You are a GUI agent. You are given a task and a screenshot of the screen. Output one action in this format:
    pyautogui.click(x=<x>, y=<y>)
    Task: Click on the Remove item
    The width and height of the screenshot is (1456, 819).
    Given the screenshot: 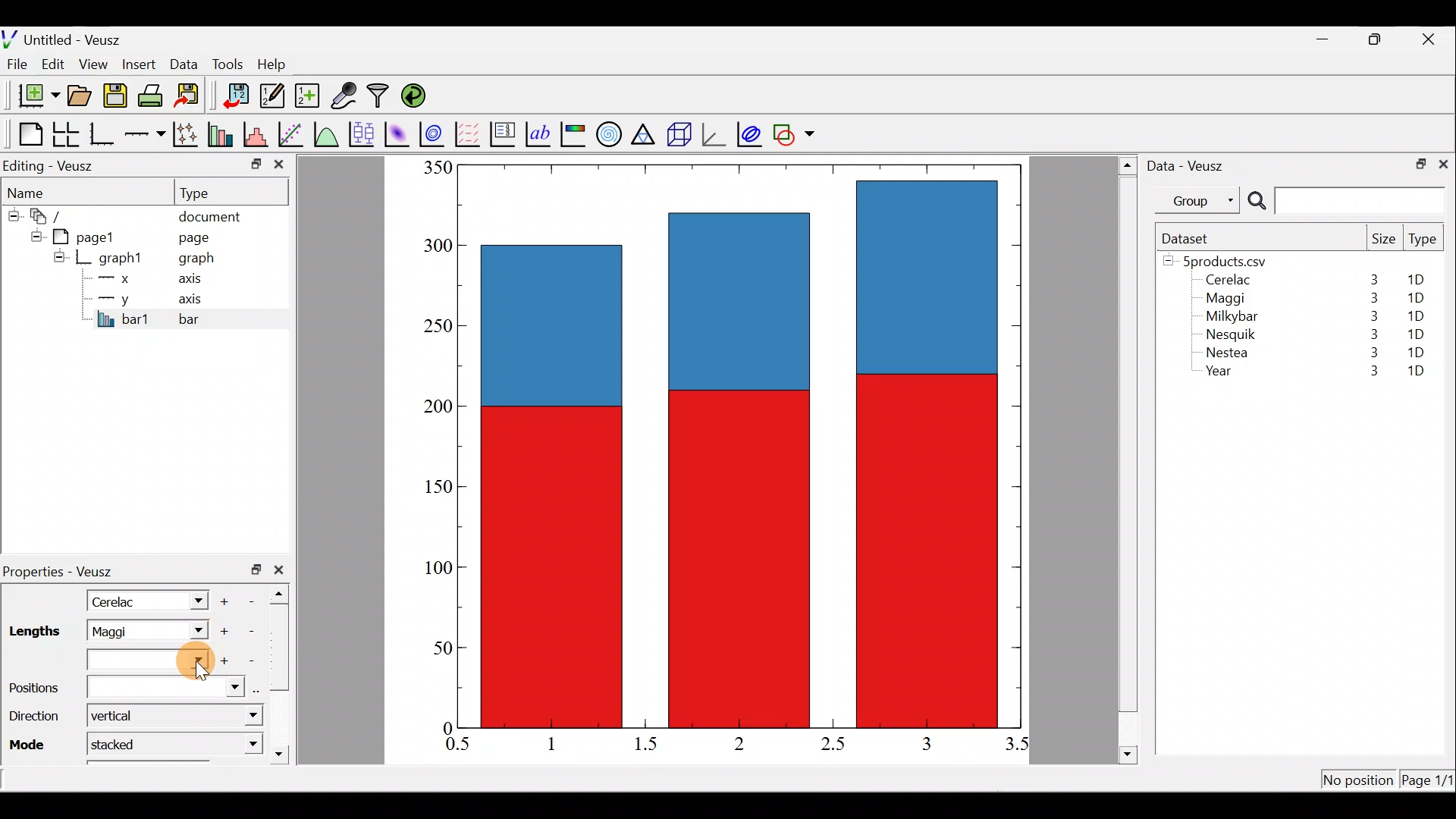 What is the action you would take?
    pyautogui.click(x=256, y=600)
    